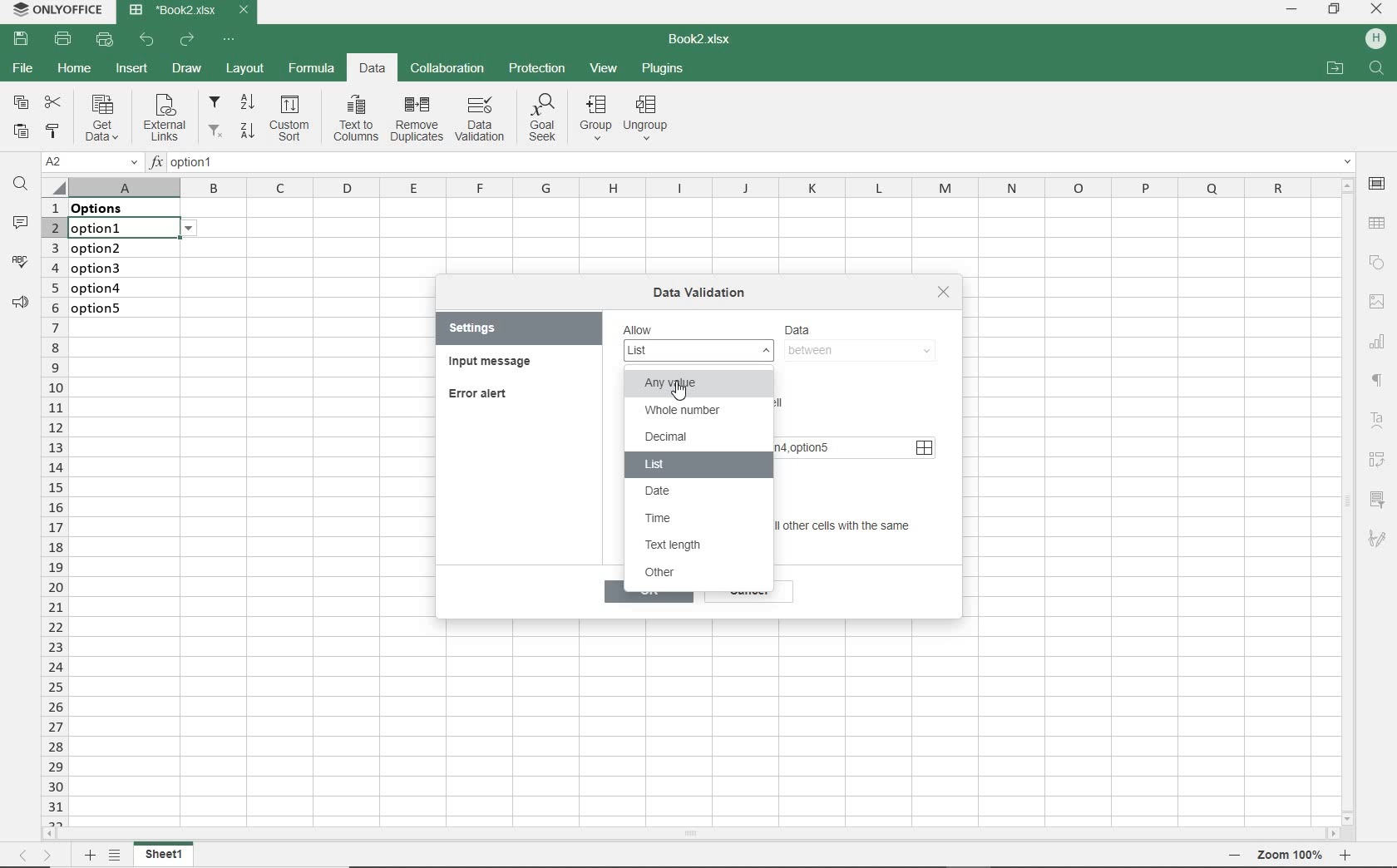 This screenshot has height=868, width=1397. I want to click on Text to columns, so click(356, 116).